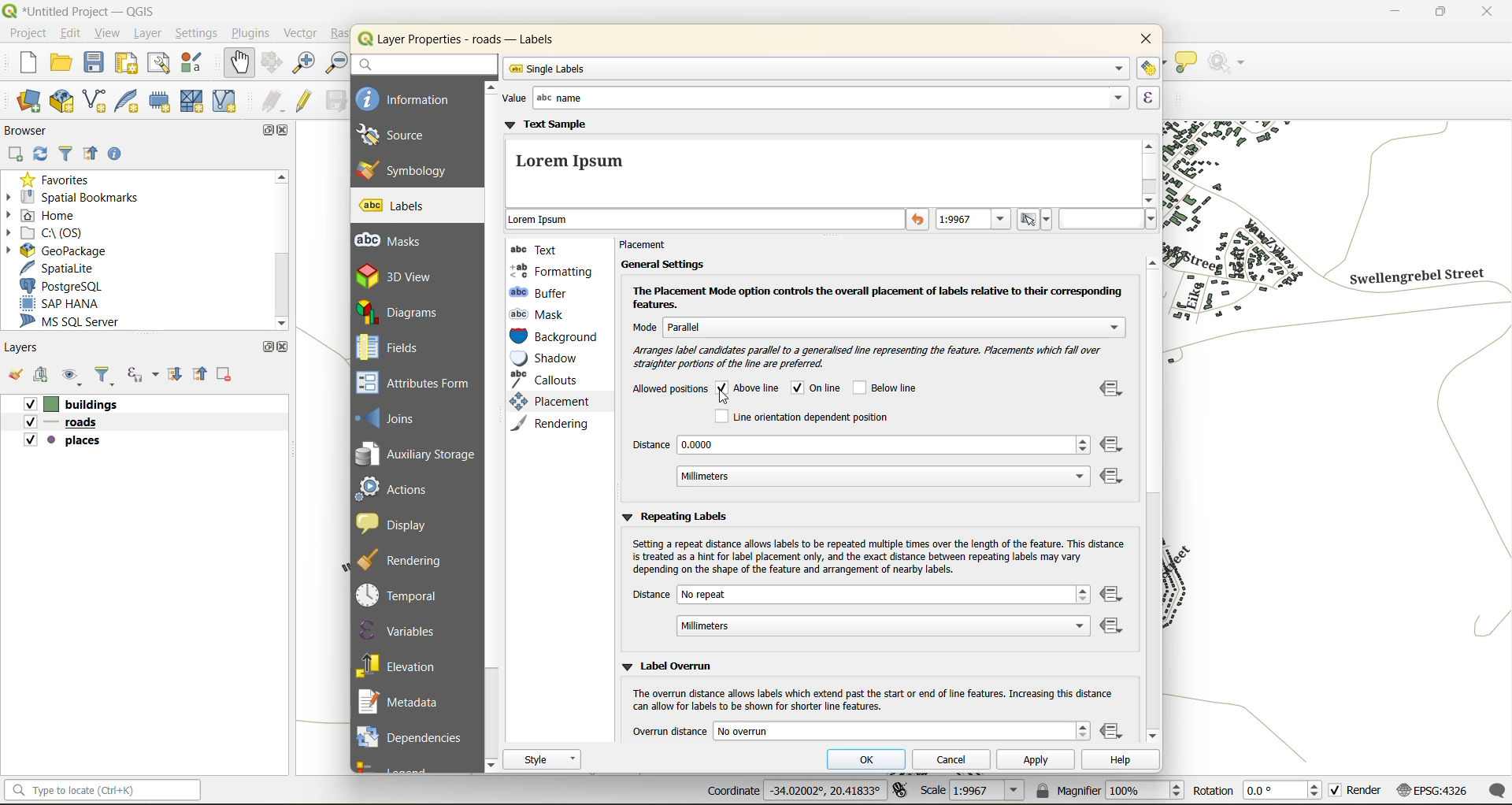 The width and height of the screenshot is (1512, 805). Describe the element at coordinates (794, 791) in the screenshot. I see `coordinates` at that location.